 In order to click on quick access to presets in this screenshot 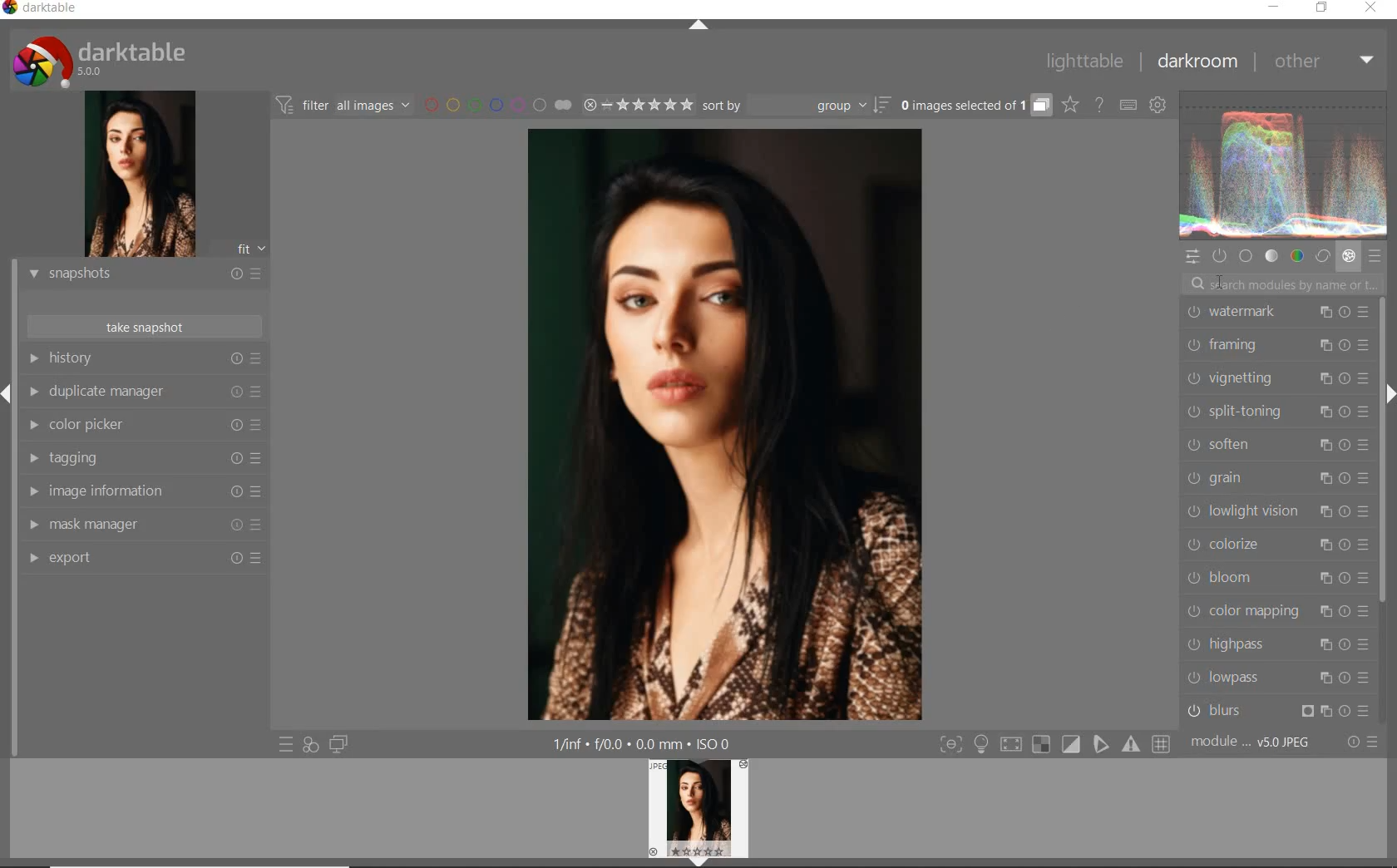, I will do `click(287, 744)`.